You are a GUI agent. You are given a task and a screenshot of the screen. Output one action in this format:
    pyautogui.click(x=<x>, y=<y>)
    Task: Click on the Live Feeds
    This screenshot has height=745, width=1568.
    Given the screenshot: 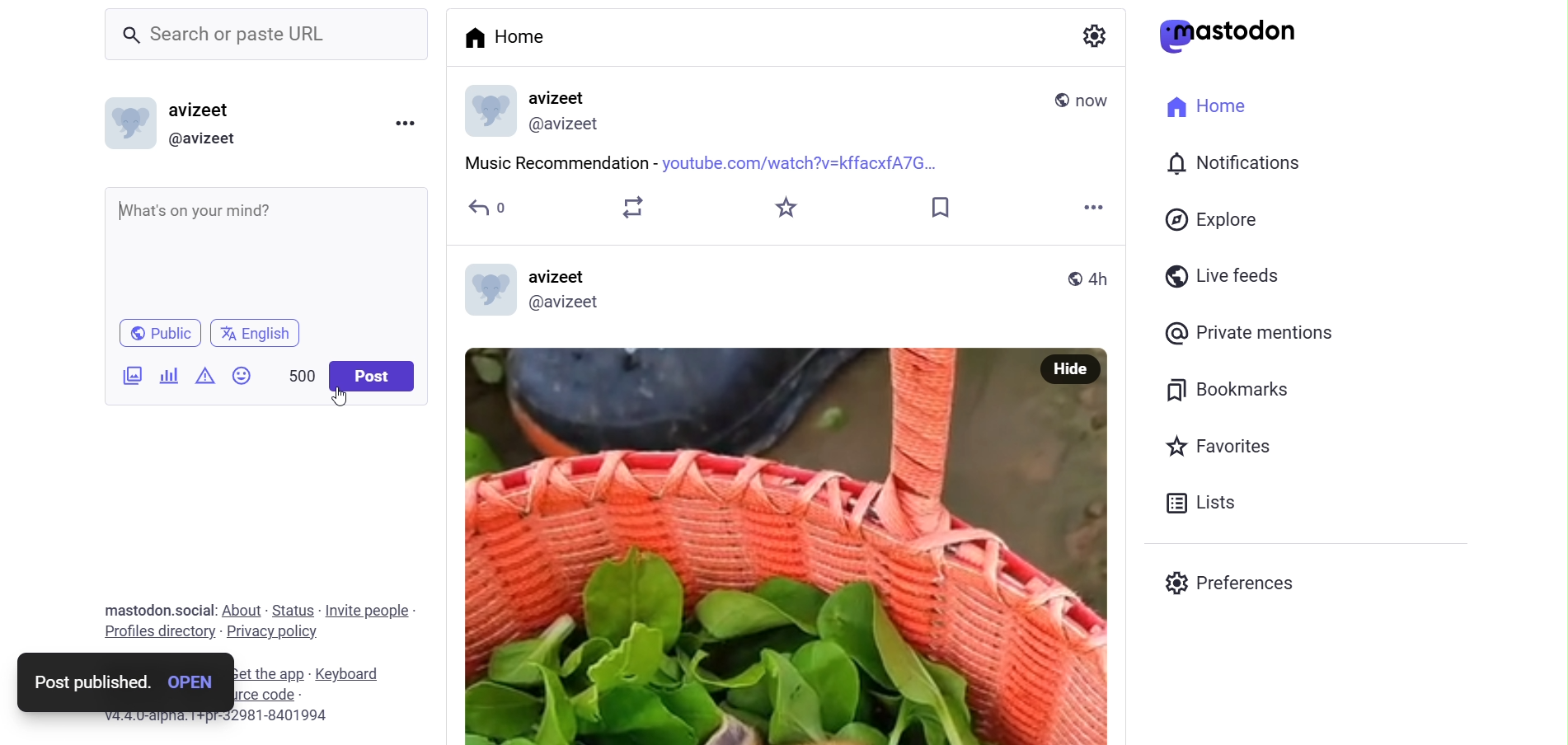 What is the action you would take?
    pyautogui.click(x=1222, y=275)
    